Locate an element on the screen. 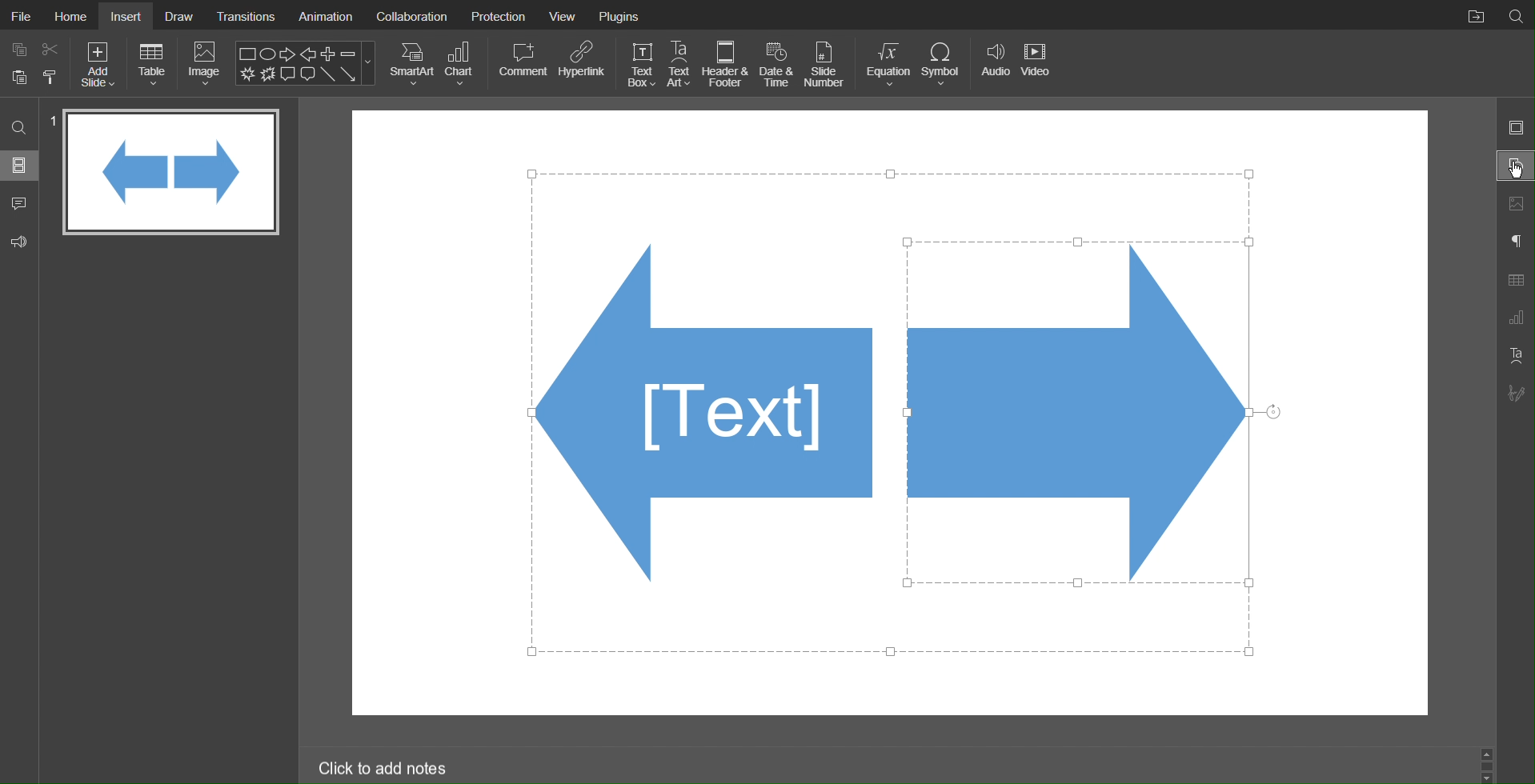  Animation is located at coordinates (325, 14).